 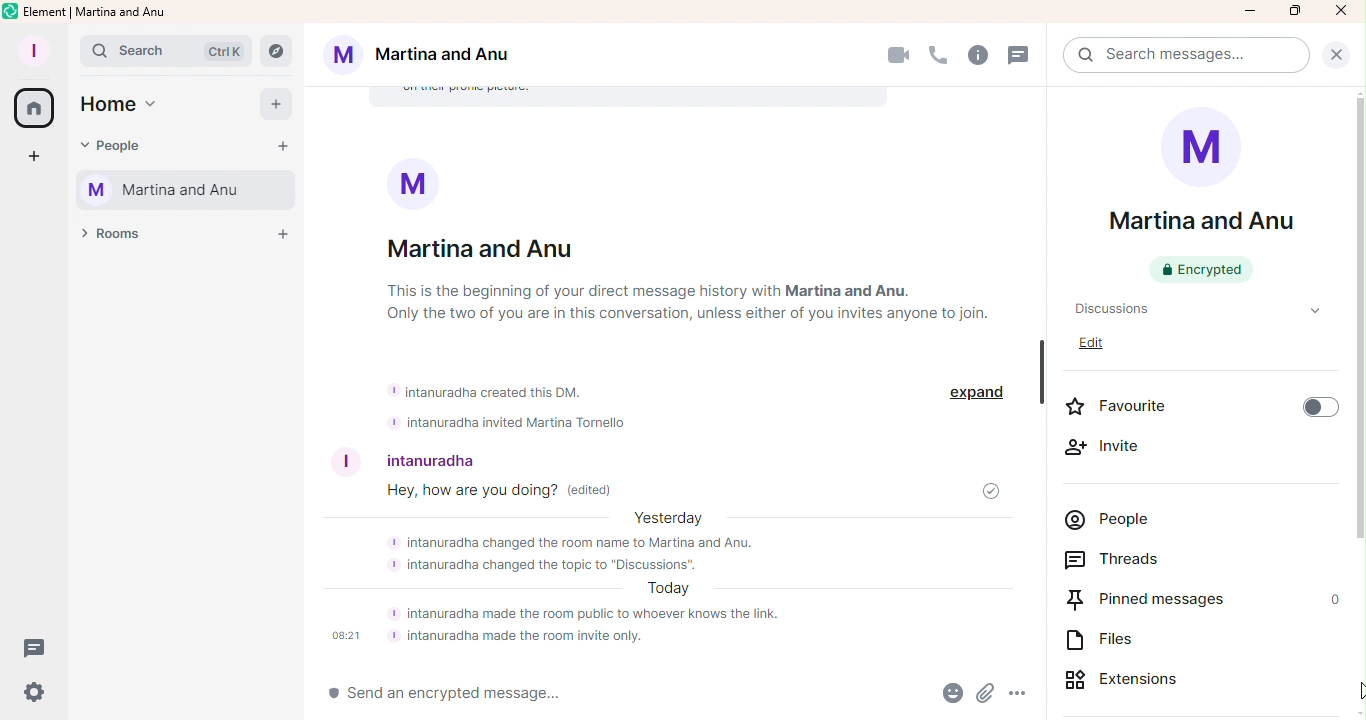 What do you see at coordinates (33, 698) in the screenshot?
I see `Quick settings` at bounding box center [33, 698].